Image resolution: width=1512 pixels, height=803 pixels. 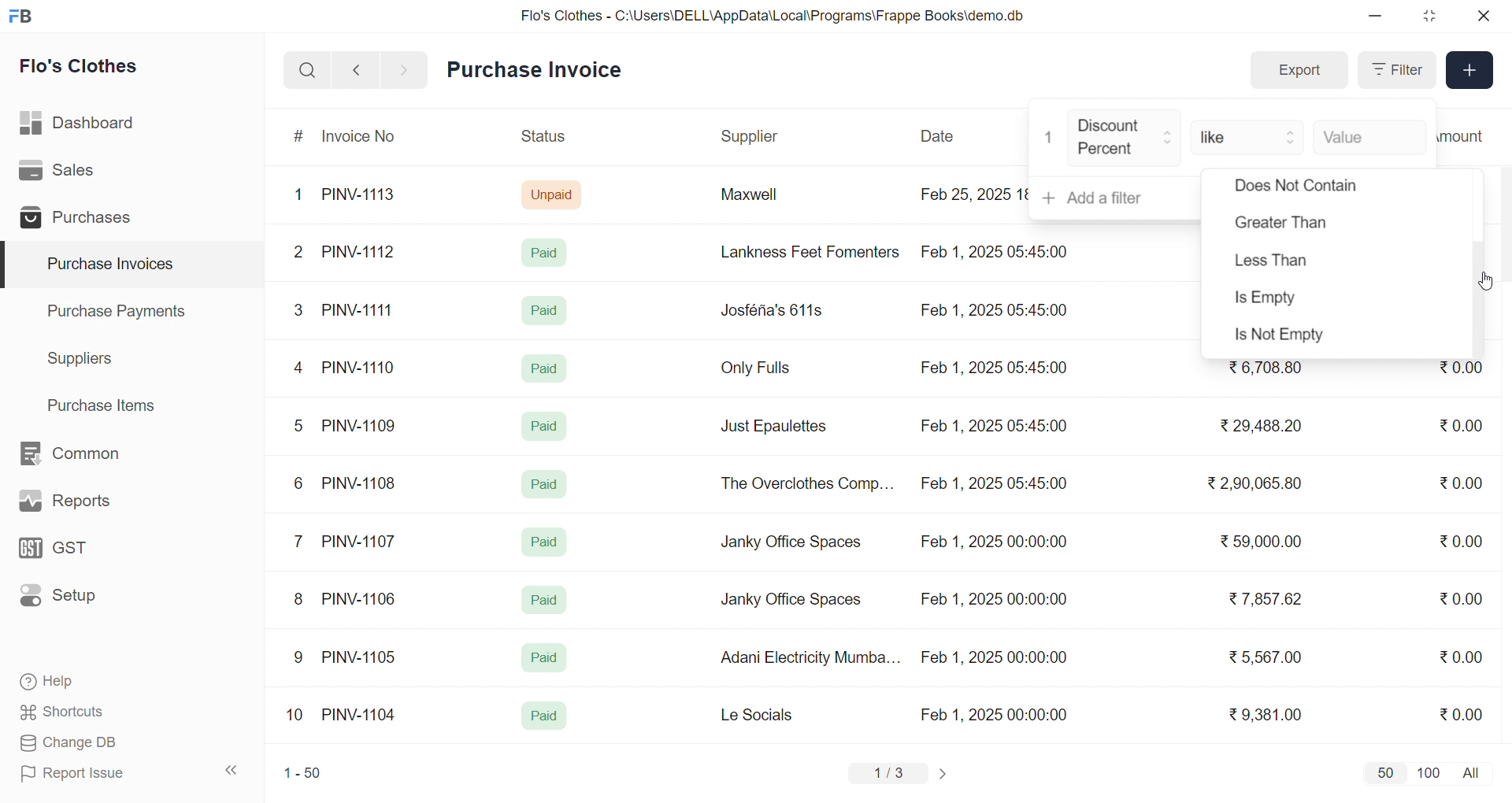 I want to click on change page, so click(x=945, y=773).